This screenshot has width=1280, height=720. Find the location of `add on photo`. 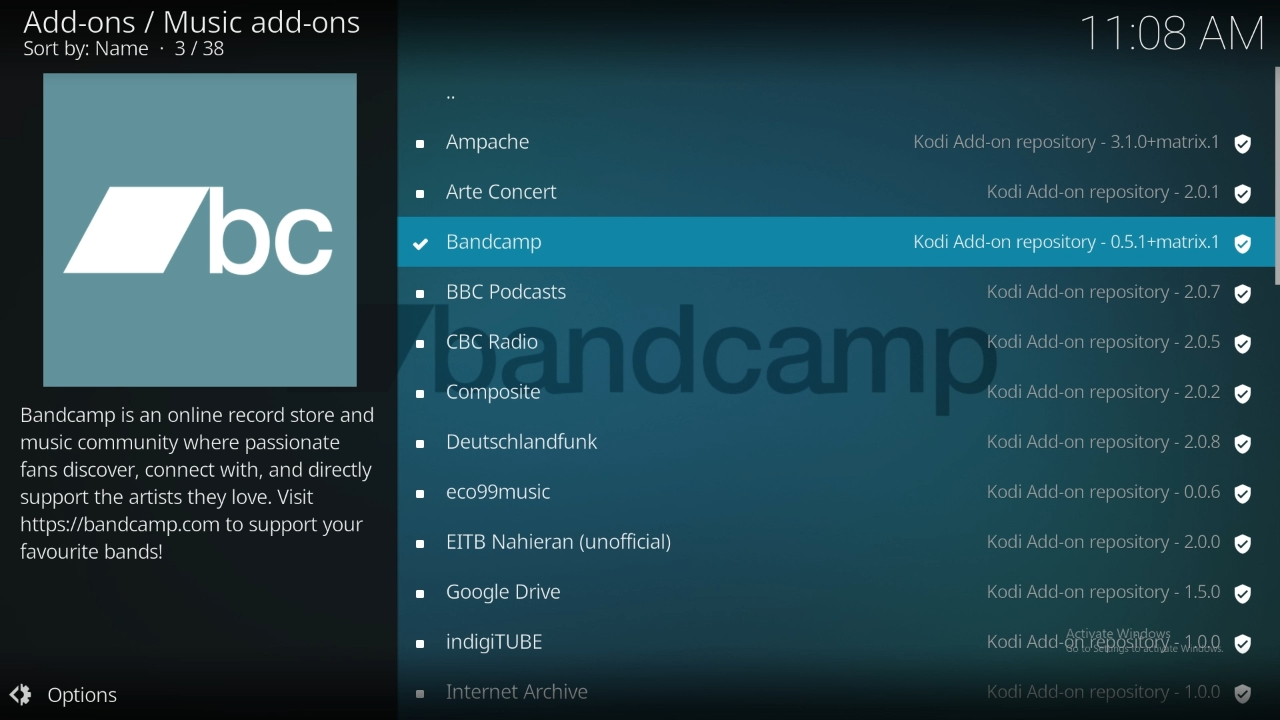

add on photo is located at coordinates (196, 231).